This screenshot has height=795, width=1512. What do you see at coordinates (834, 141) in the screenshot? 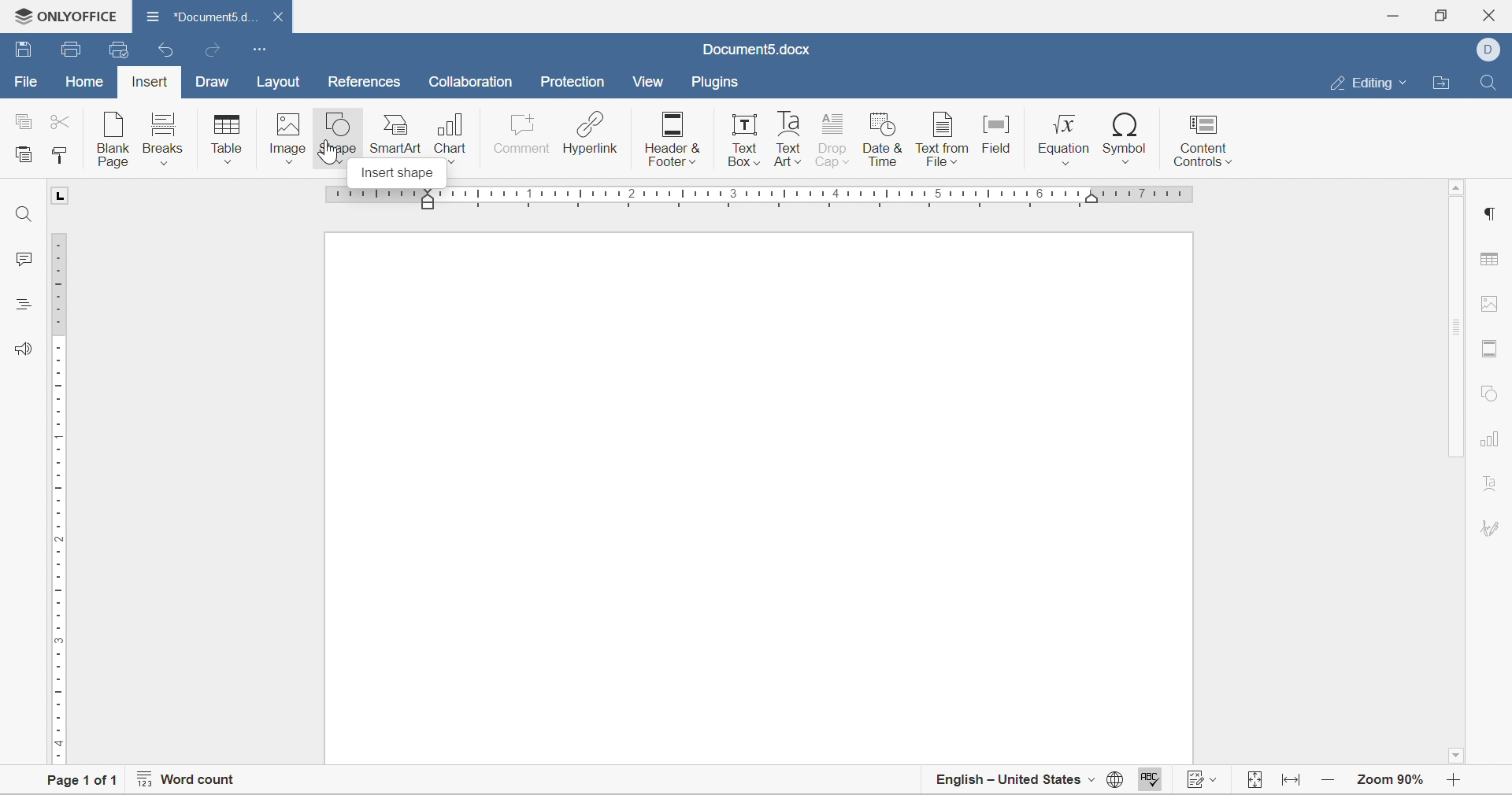
I see `drop cap` at bounding box center [834, 141].